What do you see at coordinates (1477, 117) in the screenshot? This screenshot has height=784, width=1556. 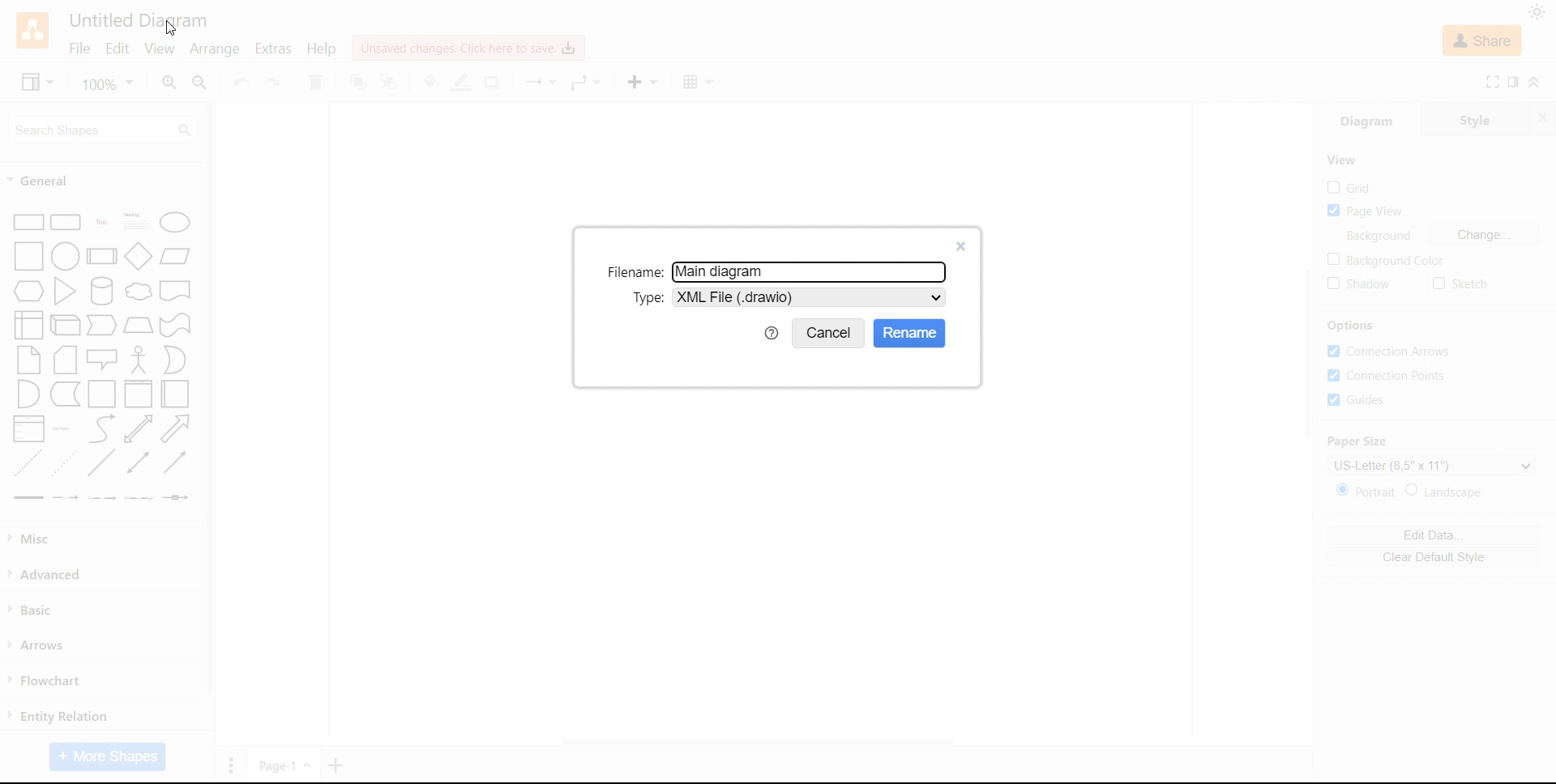 I see `Style ` at bounding box center [1477, 117].